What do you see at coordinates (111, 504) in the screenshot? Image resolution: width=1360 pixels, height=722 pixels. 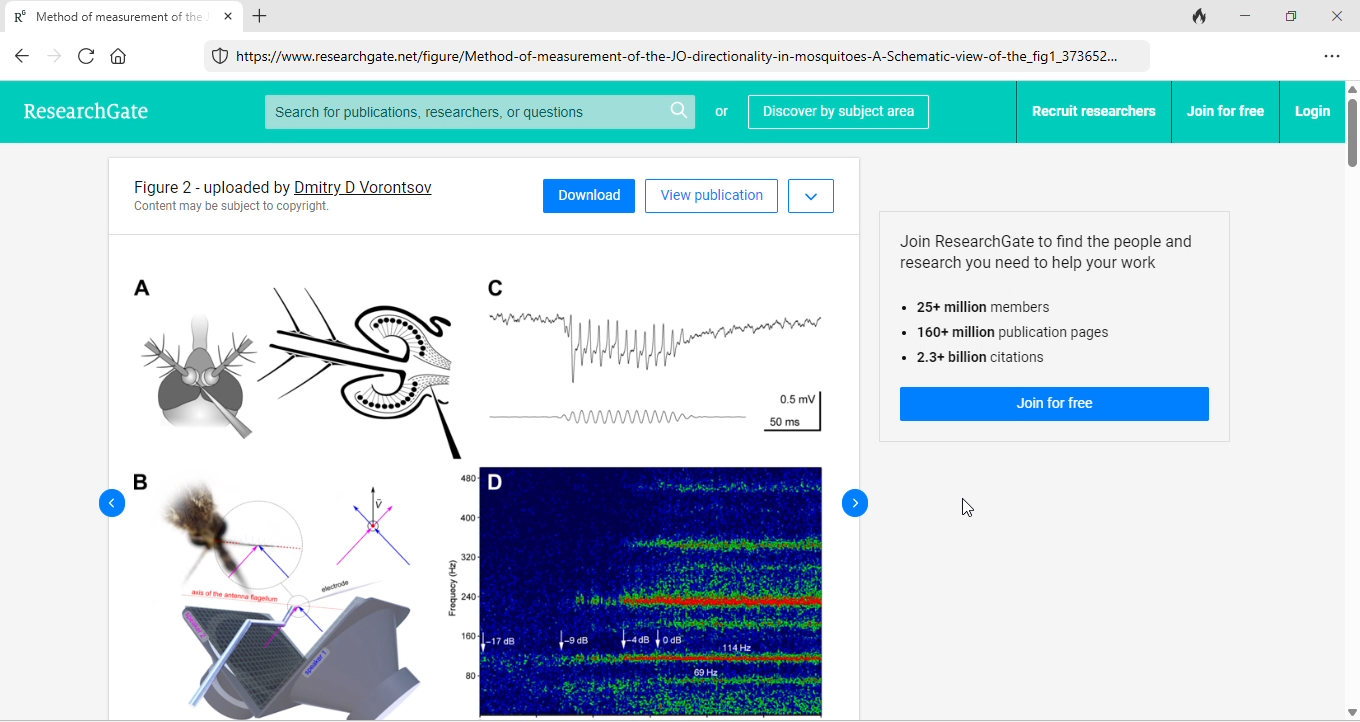 I see `previous` at bounding box center [111, 504].